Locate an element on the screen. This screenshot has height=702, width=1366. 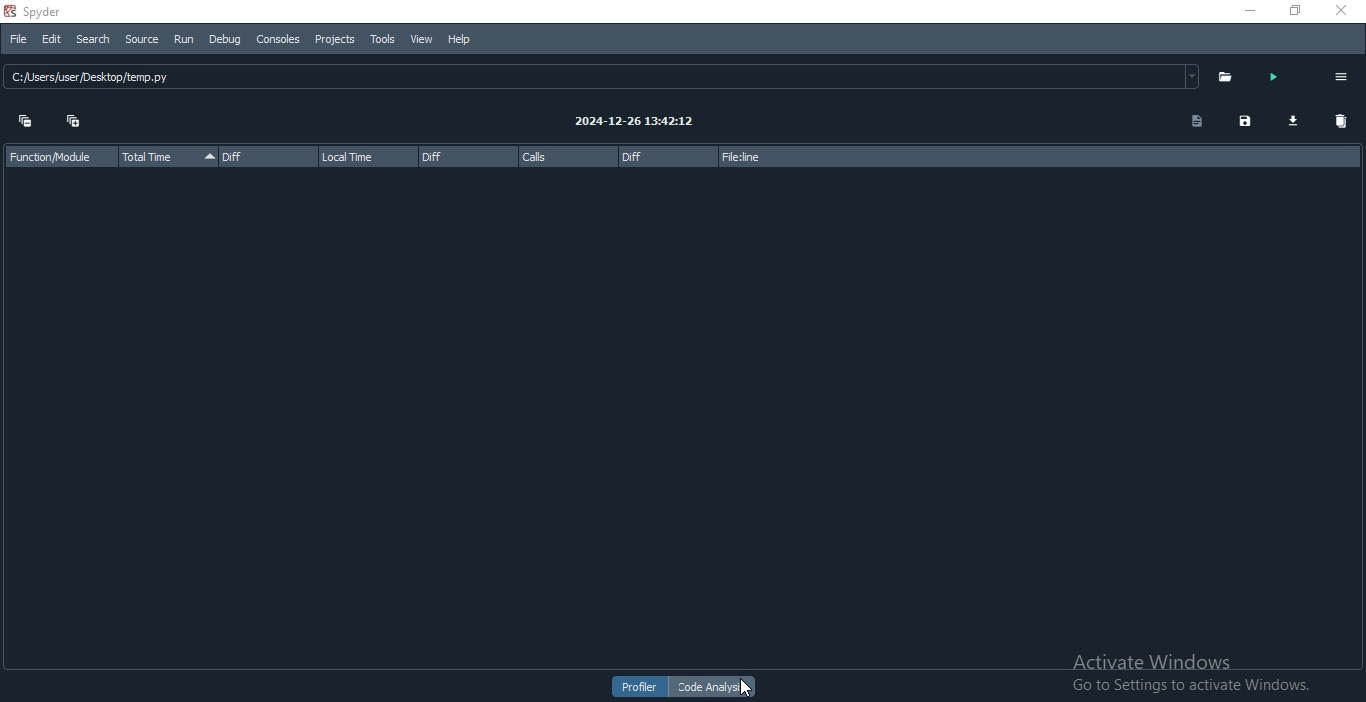
diff is located at coordinates (465, 157).